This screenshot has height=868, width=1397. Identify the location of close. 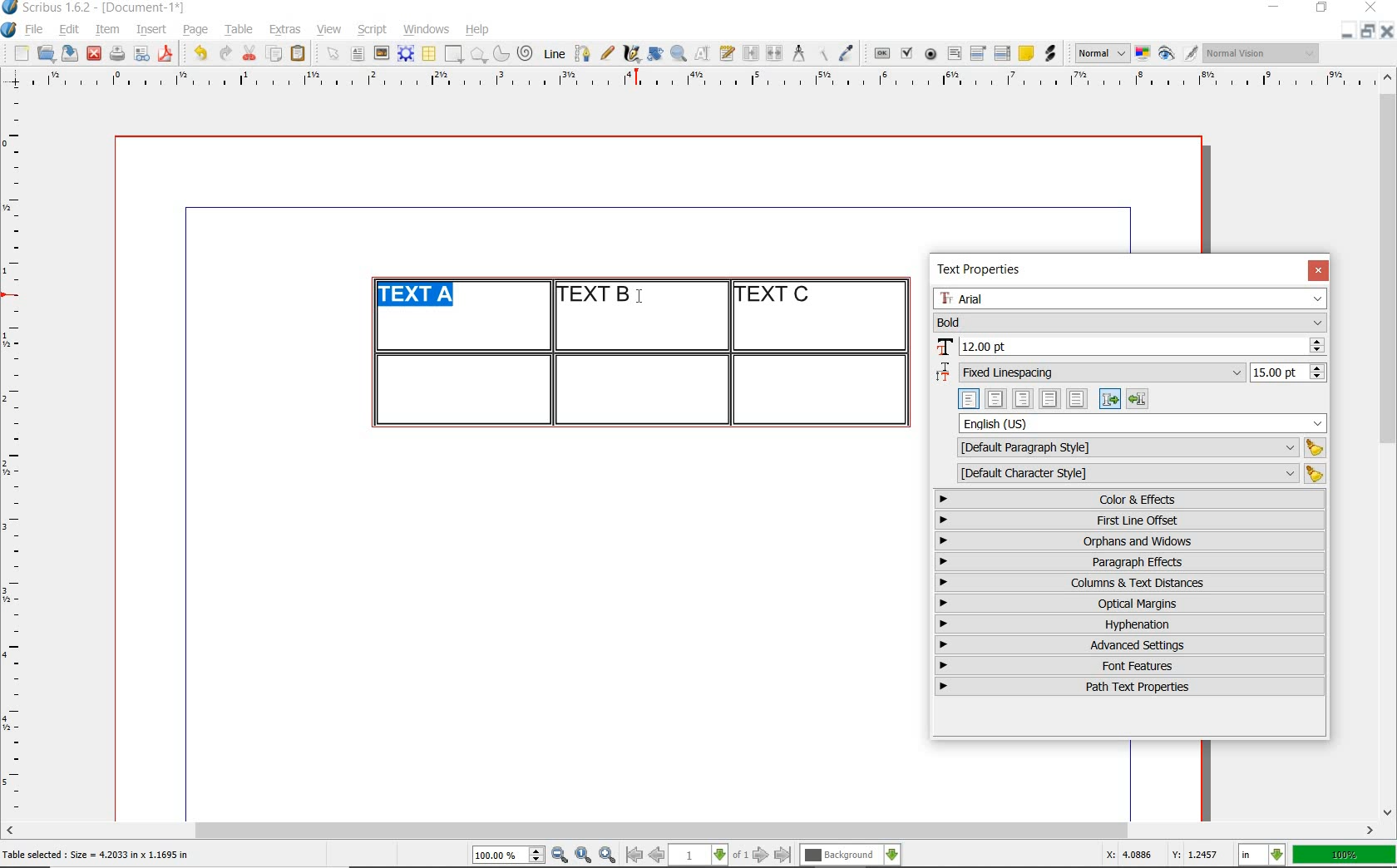
(1387, 31).